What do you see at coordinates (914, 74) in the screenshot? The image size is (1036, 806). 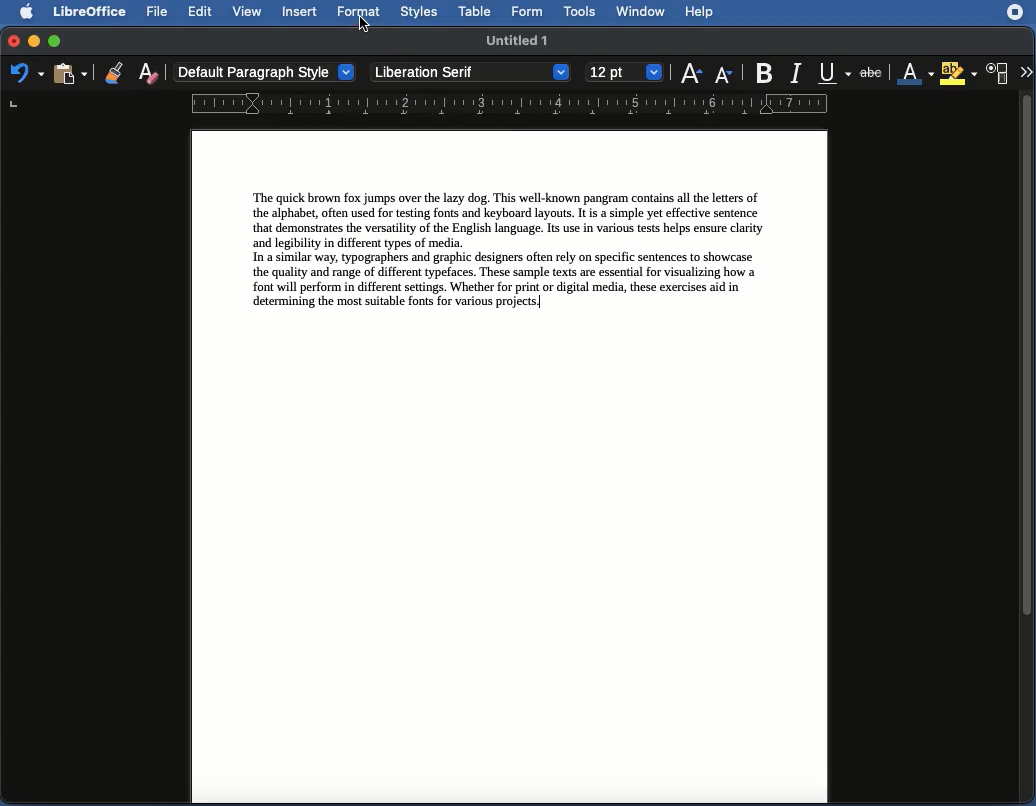 I see `Font color` at bounding box center [914, 74].